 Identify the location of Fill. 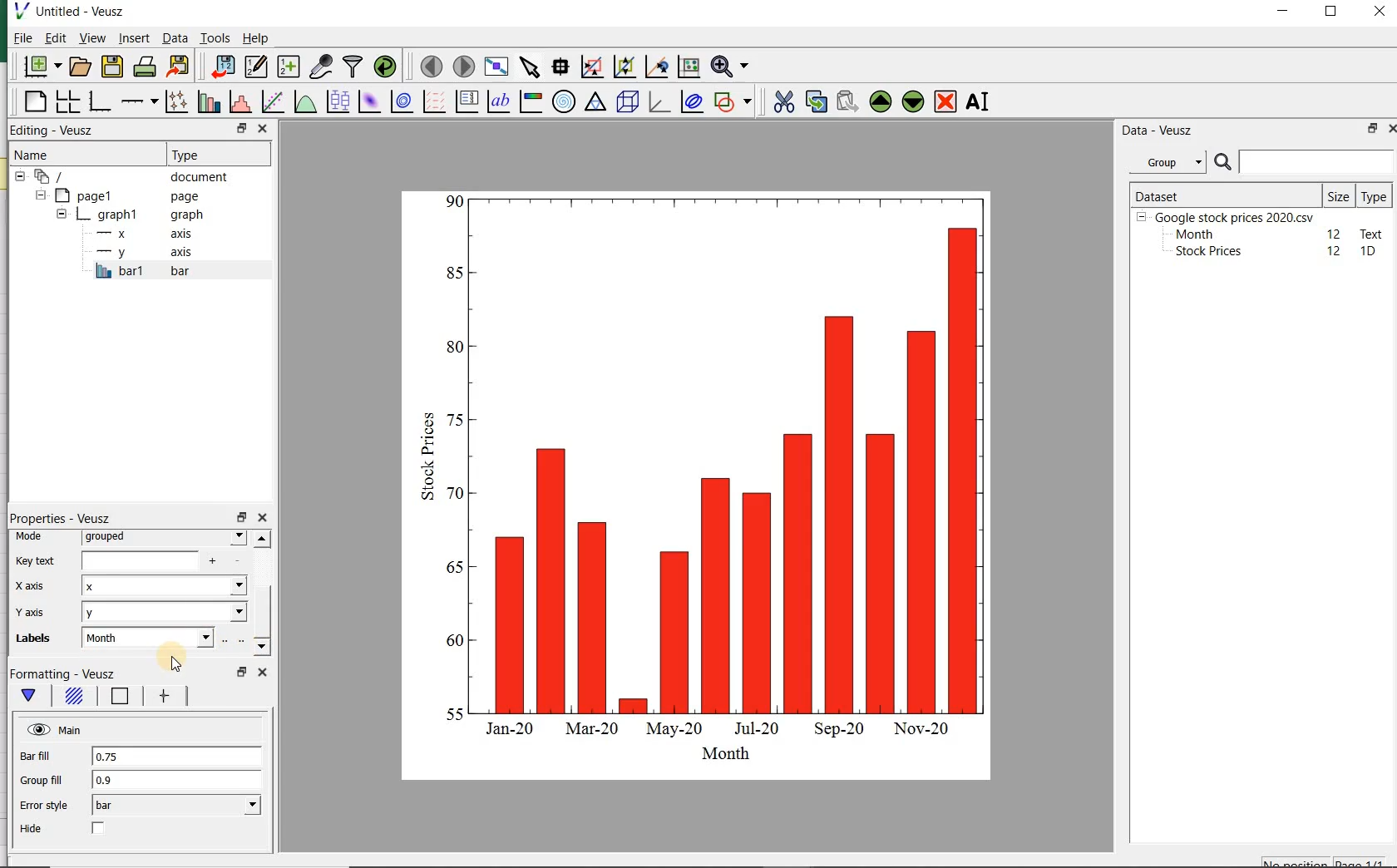
(74, 697).